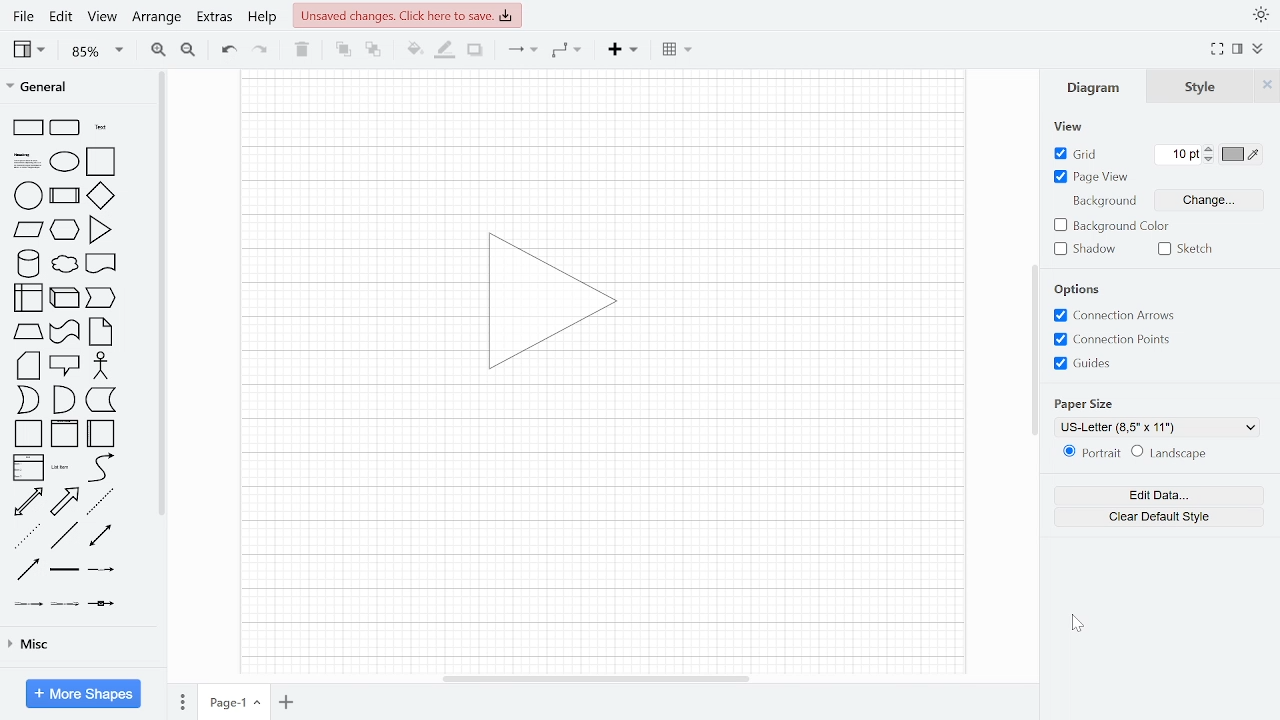 The height and width of the screenshot is (720, 1280). What do you see at coordinates (70, 86) in the screenshot?
I see `General` at bounding box center [70, 86].